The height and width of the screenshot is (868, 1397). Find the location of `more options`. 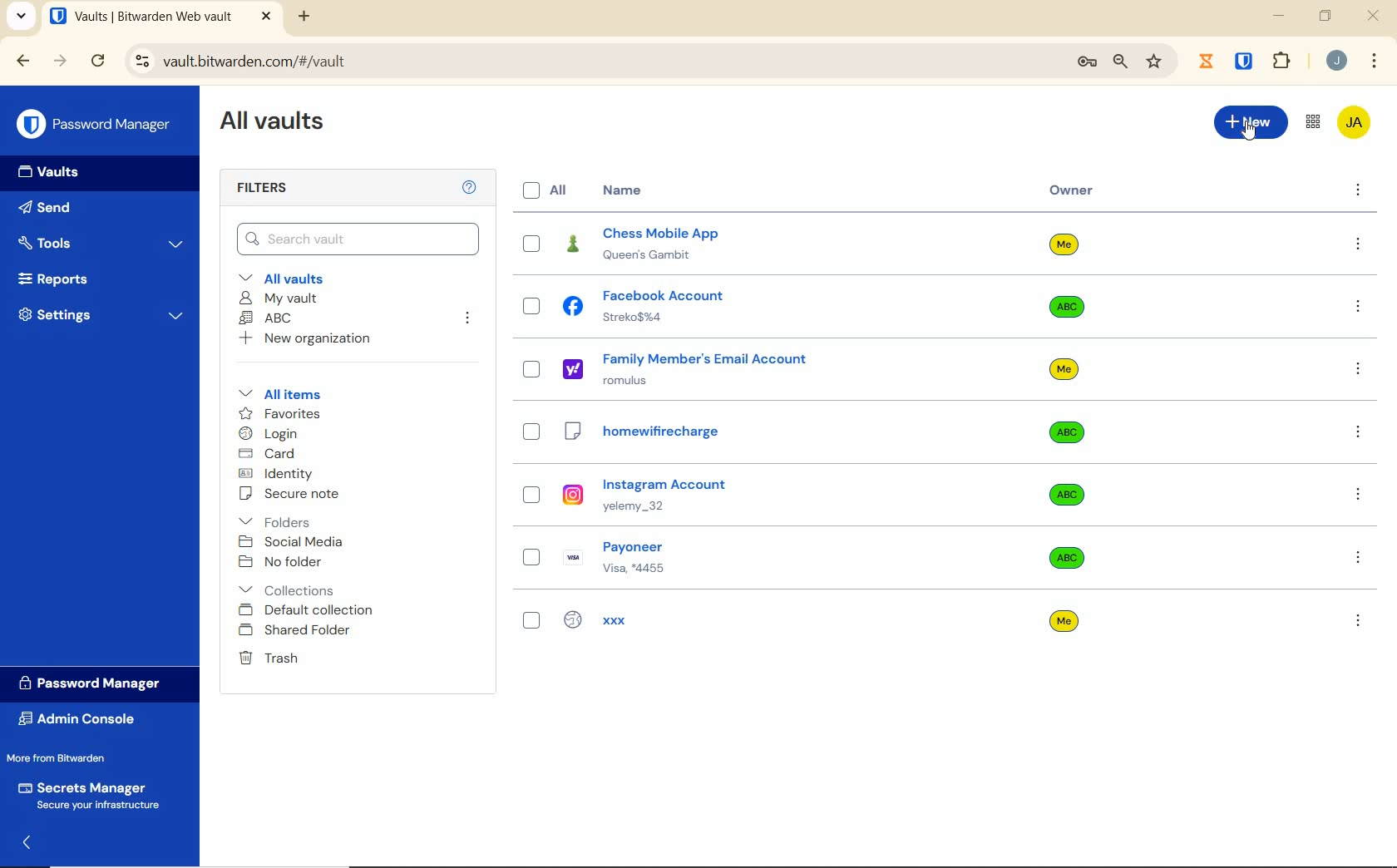

more options is located at coordinates (1360, 495).